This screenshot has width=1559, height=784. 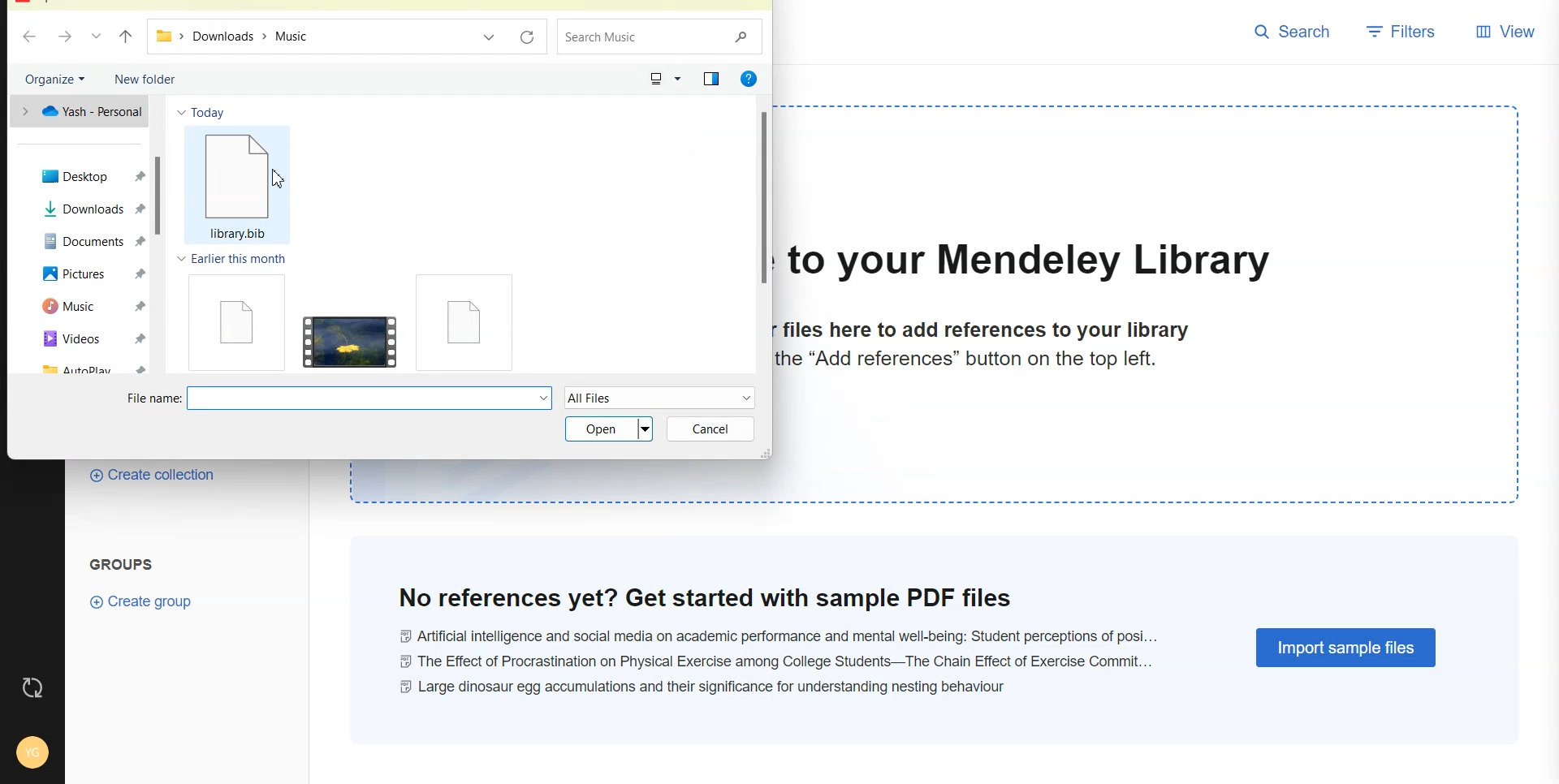 What do you see at coordinates (95, 36) in the screenshot?
I see `Recent file` at bounding box center [95, 36].